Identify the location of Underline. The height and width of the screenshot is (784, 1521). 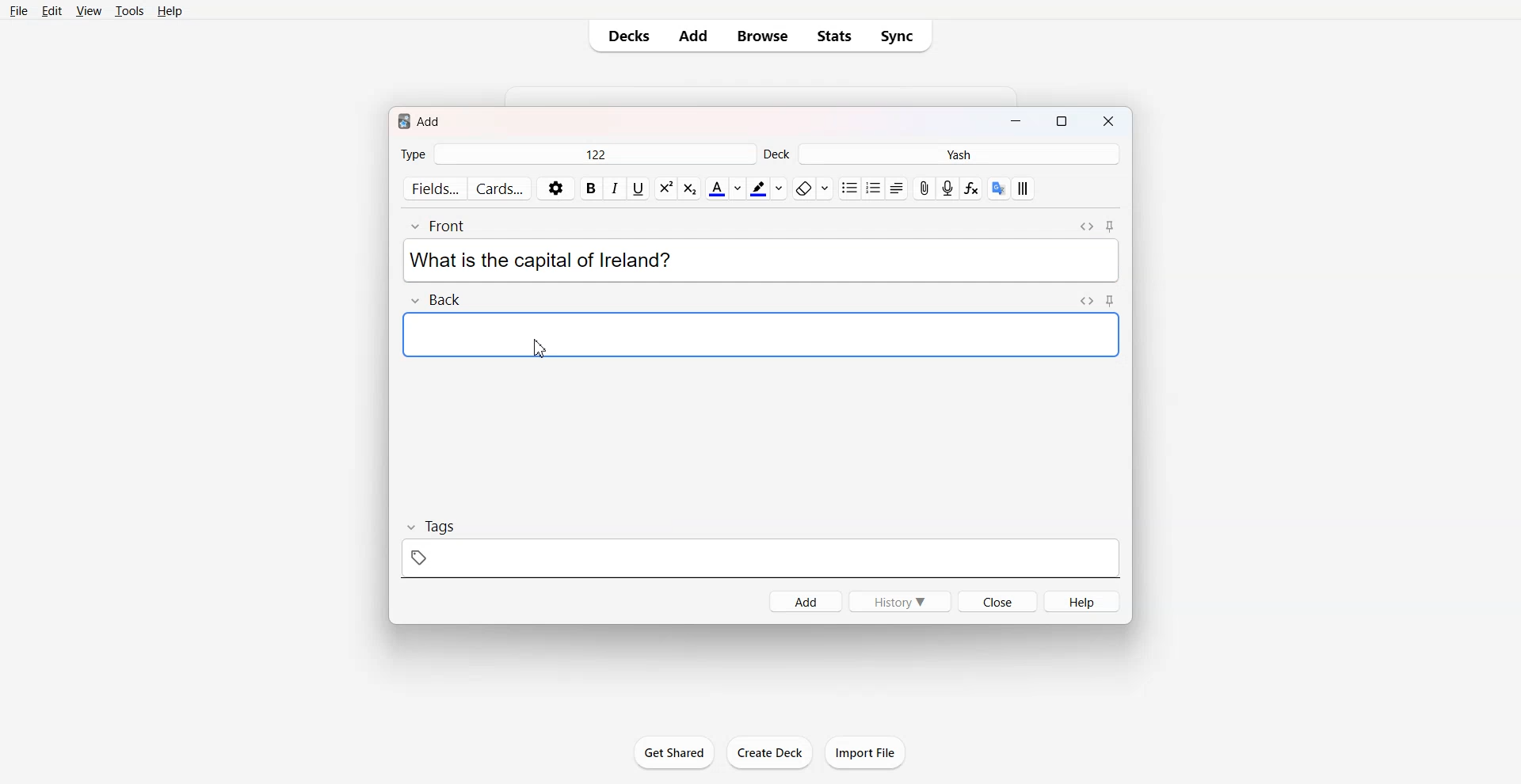
(638, 188).